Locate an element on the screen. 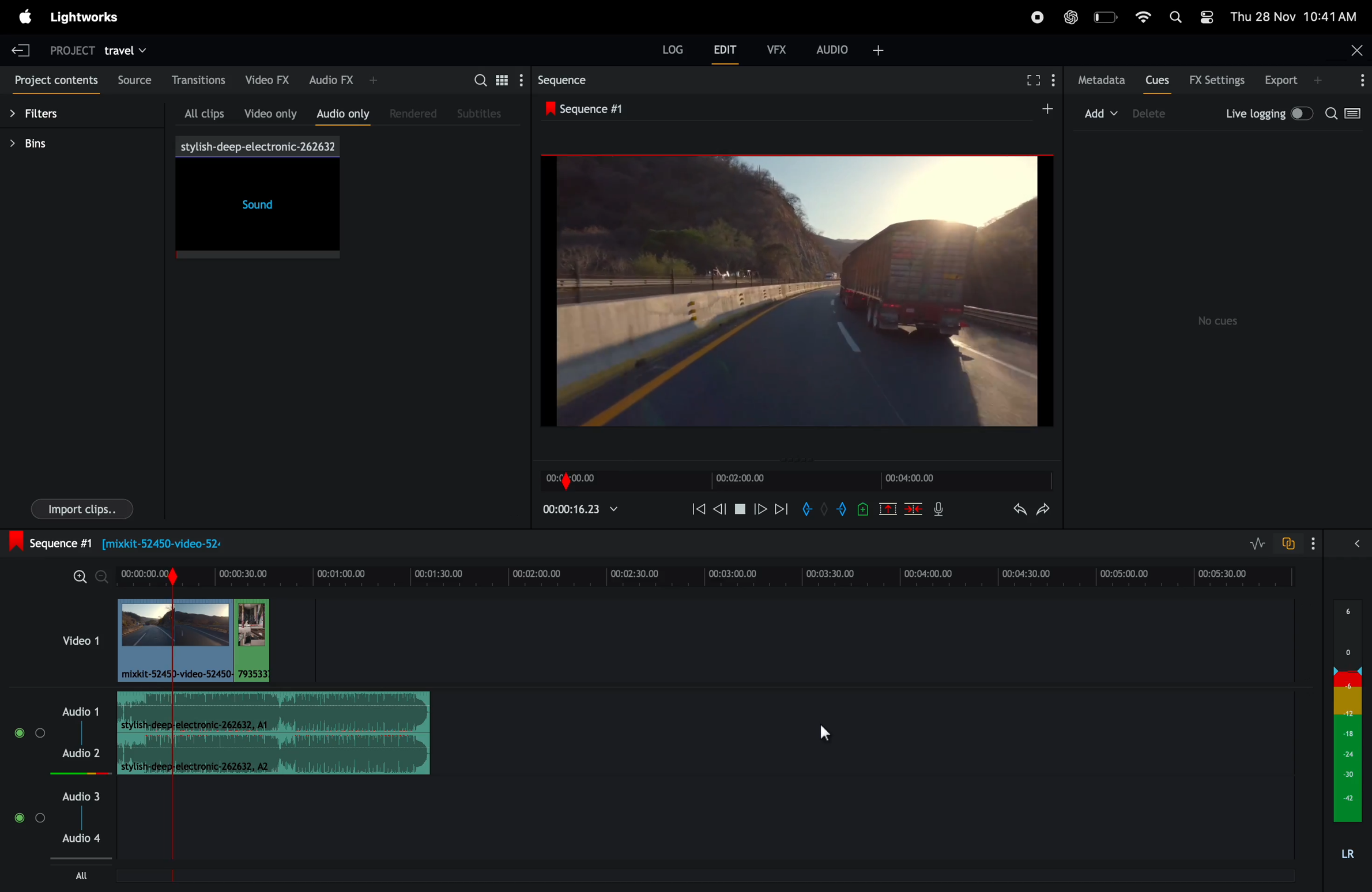 This screenshot has height=892, width=1372. transations is located at coordinates (197, 79).